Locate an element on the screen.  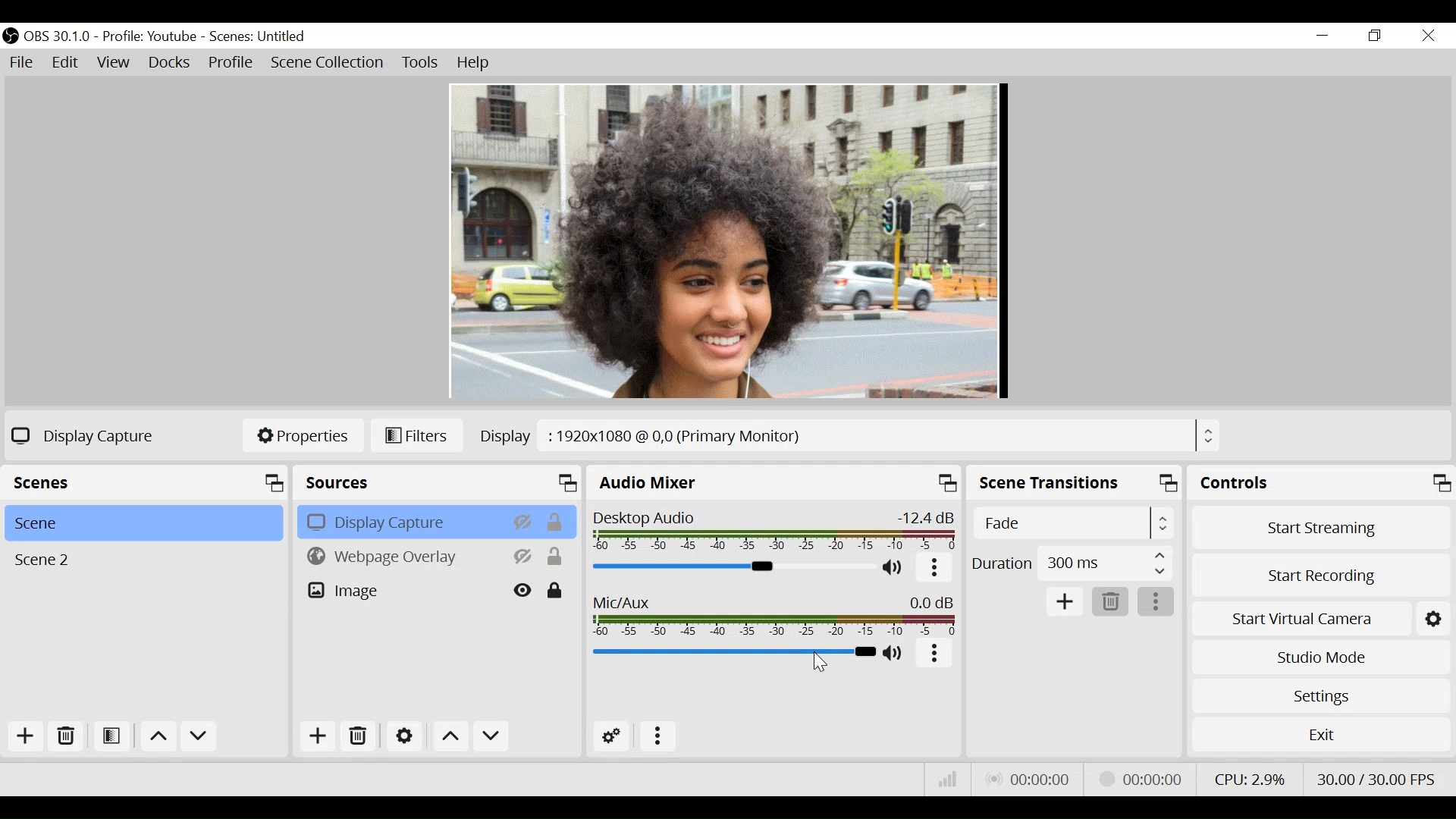
move up is located at coordinates (157, 736).